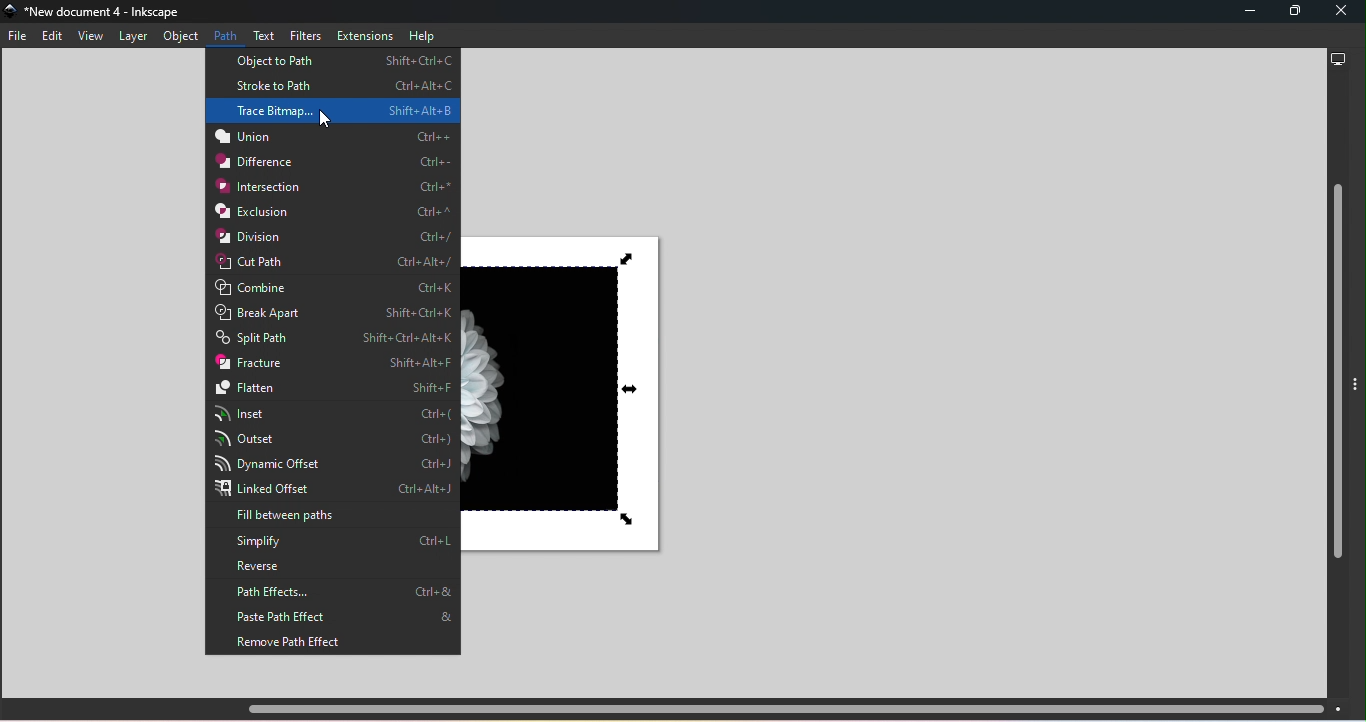  Describe the element at coordinates (565, 393) in the screenshot. I see `Canvas` at that location.